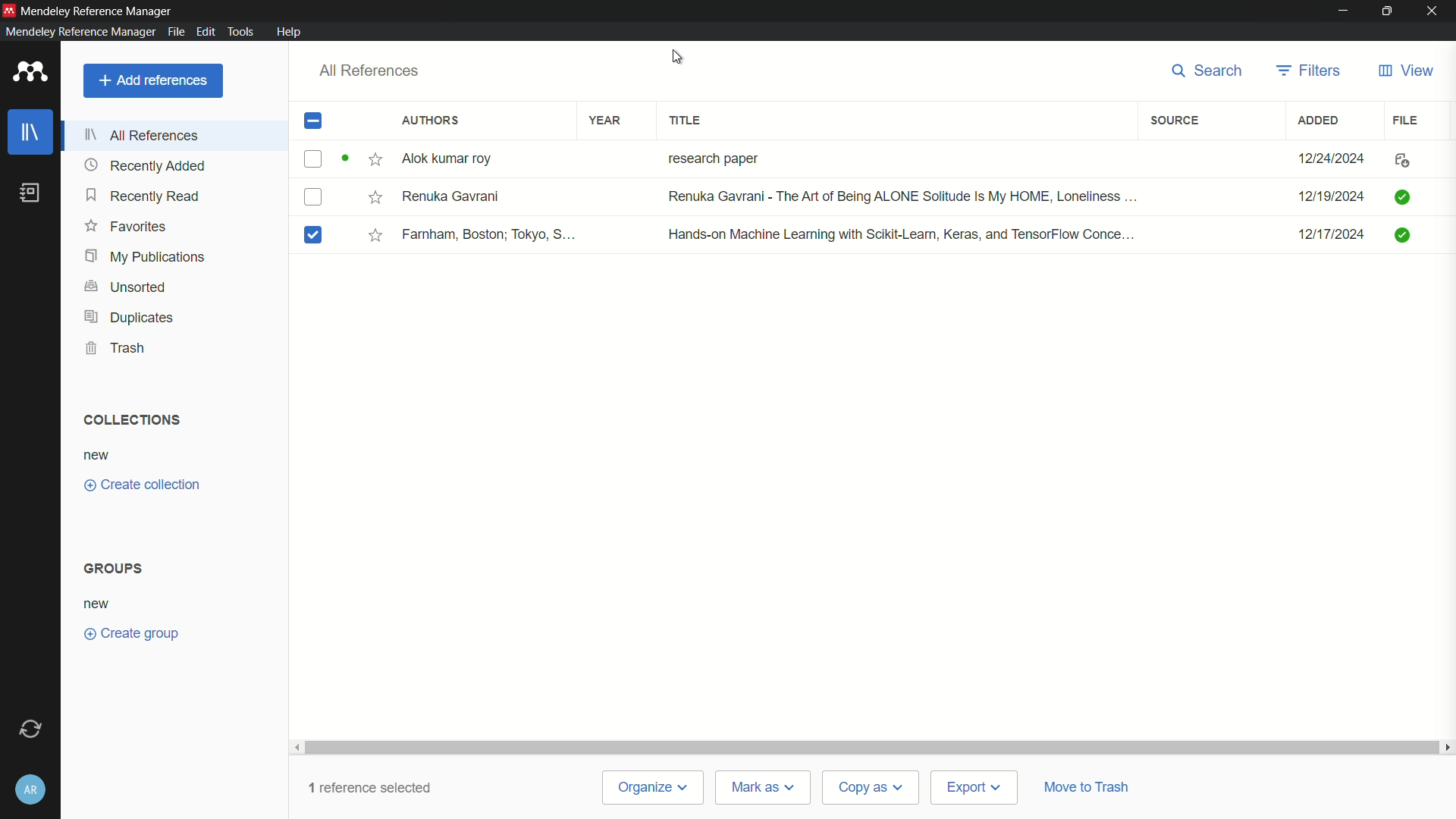  I want to click on create group, so click(129, 632).